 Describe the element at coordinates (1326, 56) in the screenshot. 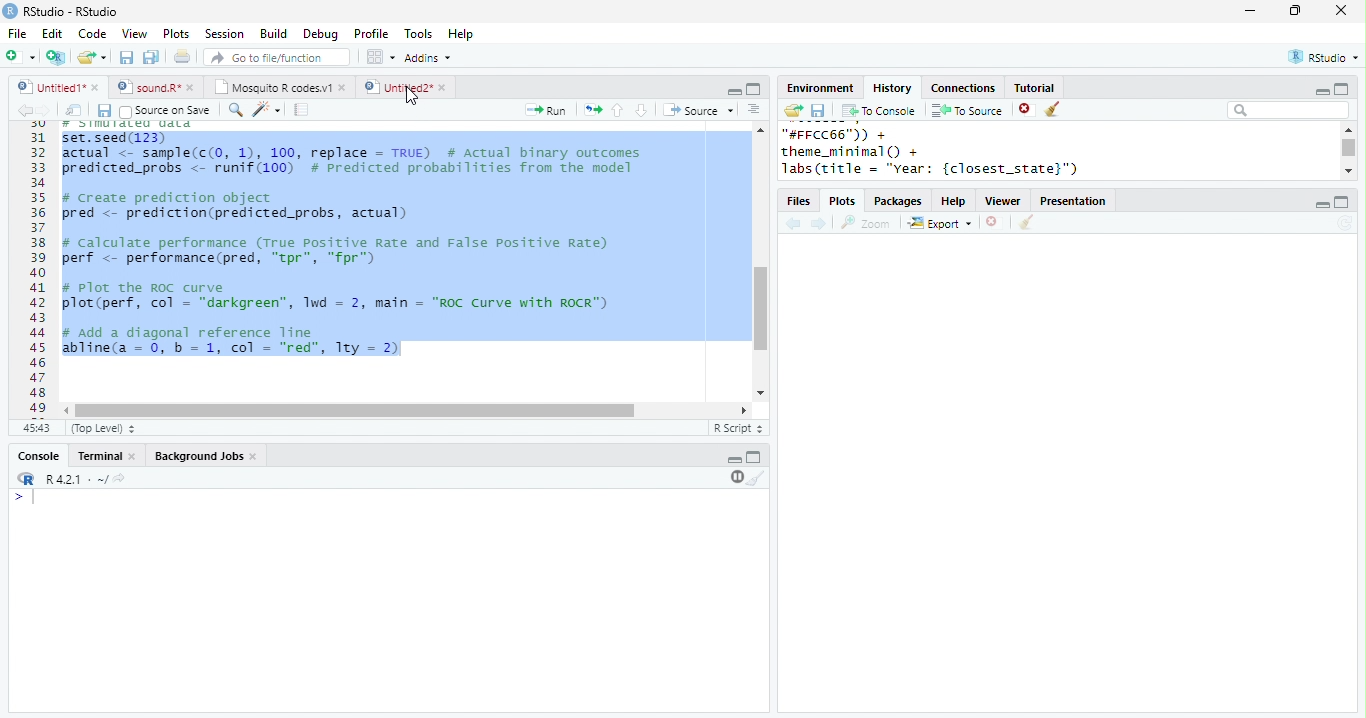

I see `RStudio` at that location.